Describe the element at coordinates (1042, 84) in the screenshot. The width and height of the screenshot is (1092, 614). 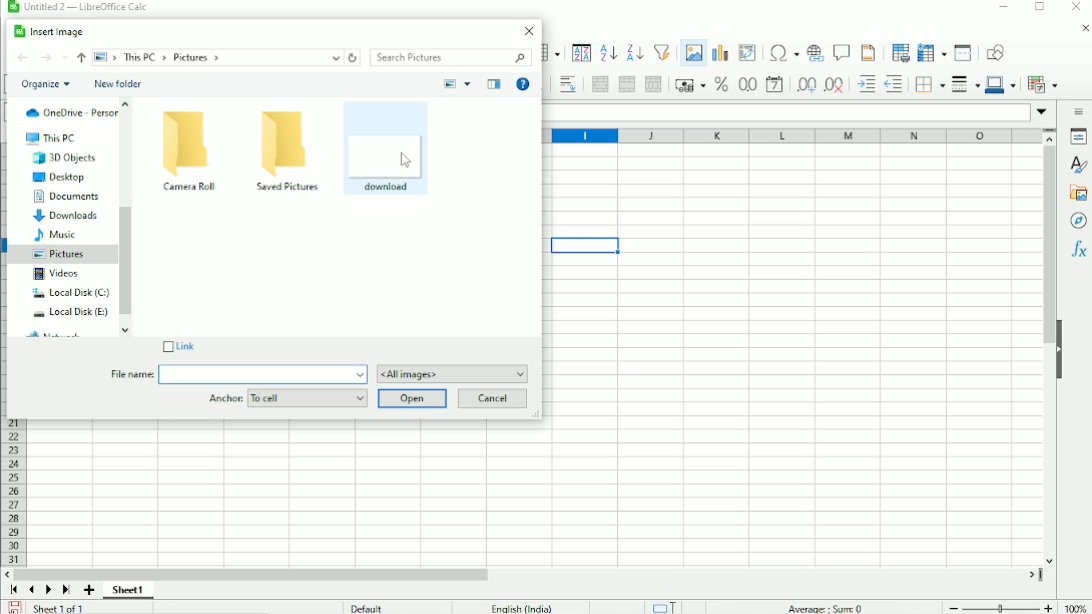
I see `Conditional` at that location.